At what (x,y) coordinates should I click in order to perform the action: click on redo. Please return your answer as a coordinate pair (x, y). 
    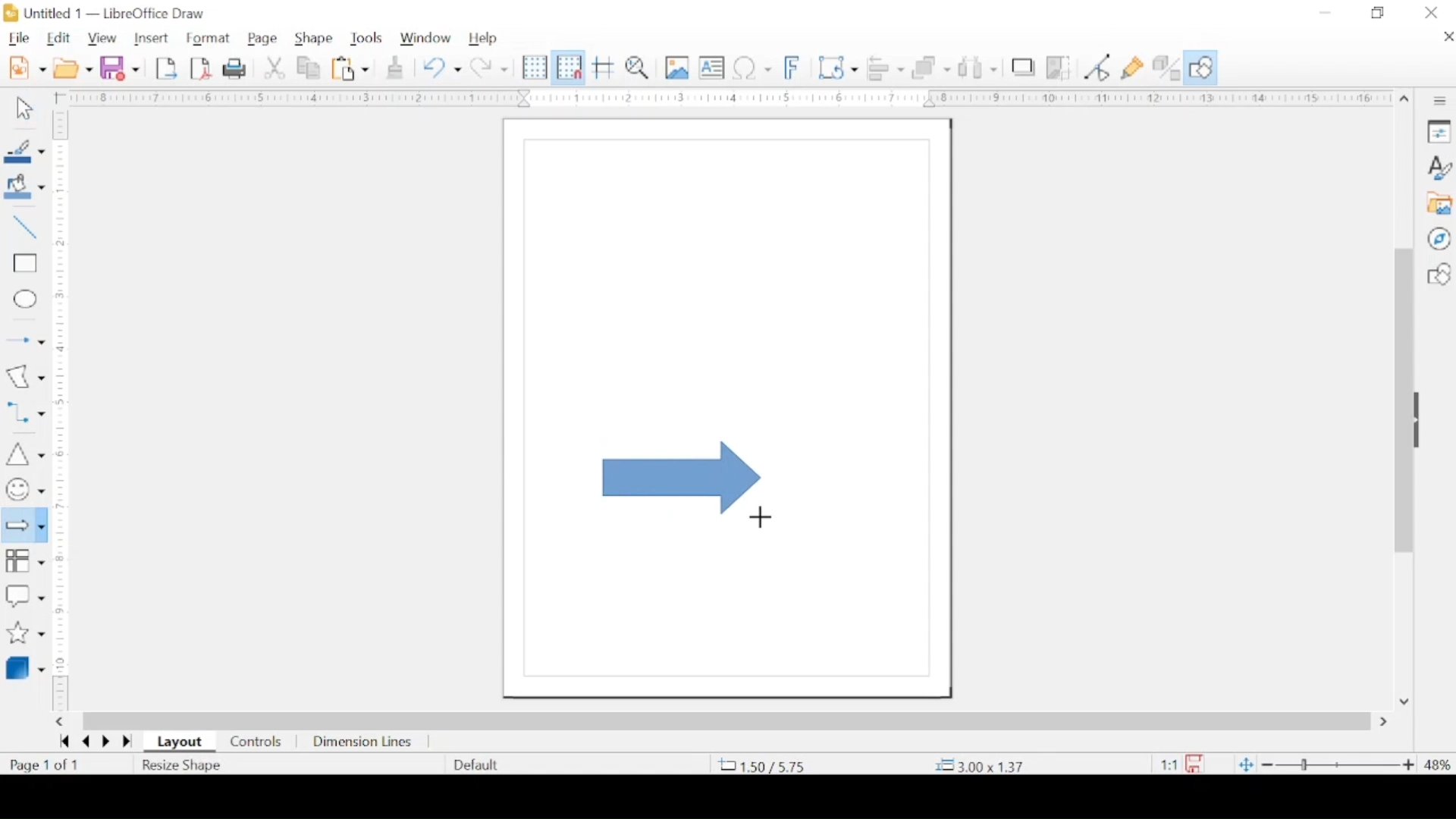
    Looking at the image, I should click on (489, 67).